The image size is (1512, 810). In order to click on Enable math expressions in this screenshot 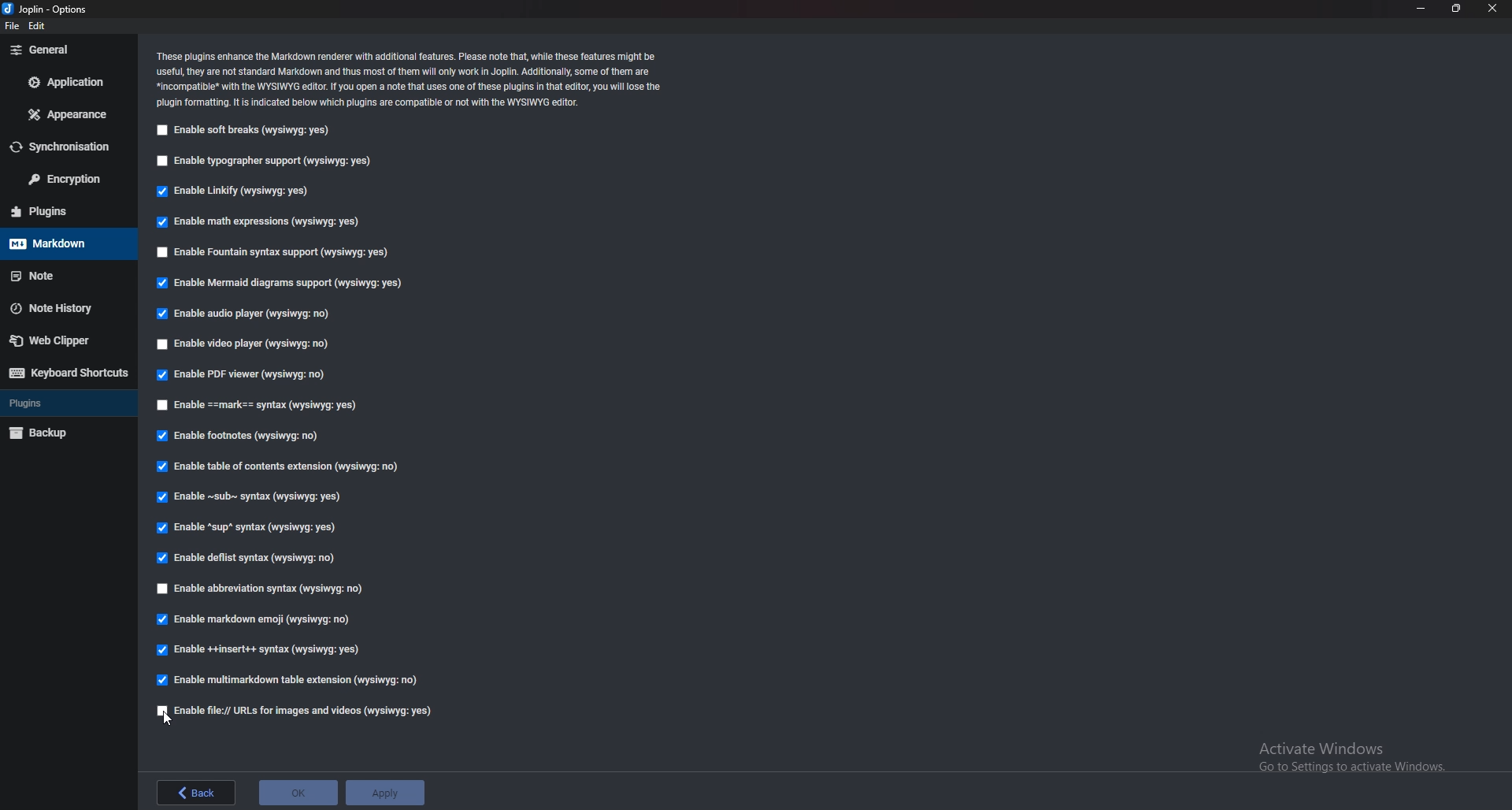, I will do `click(265, 222)`.